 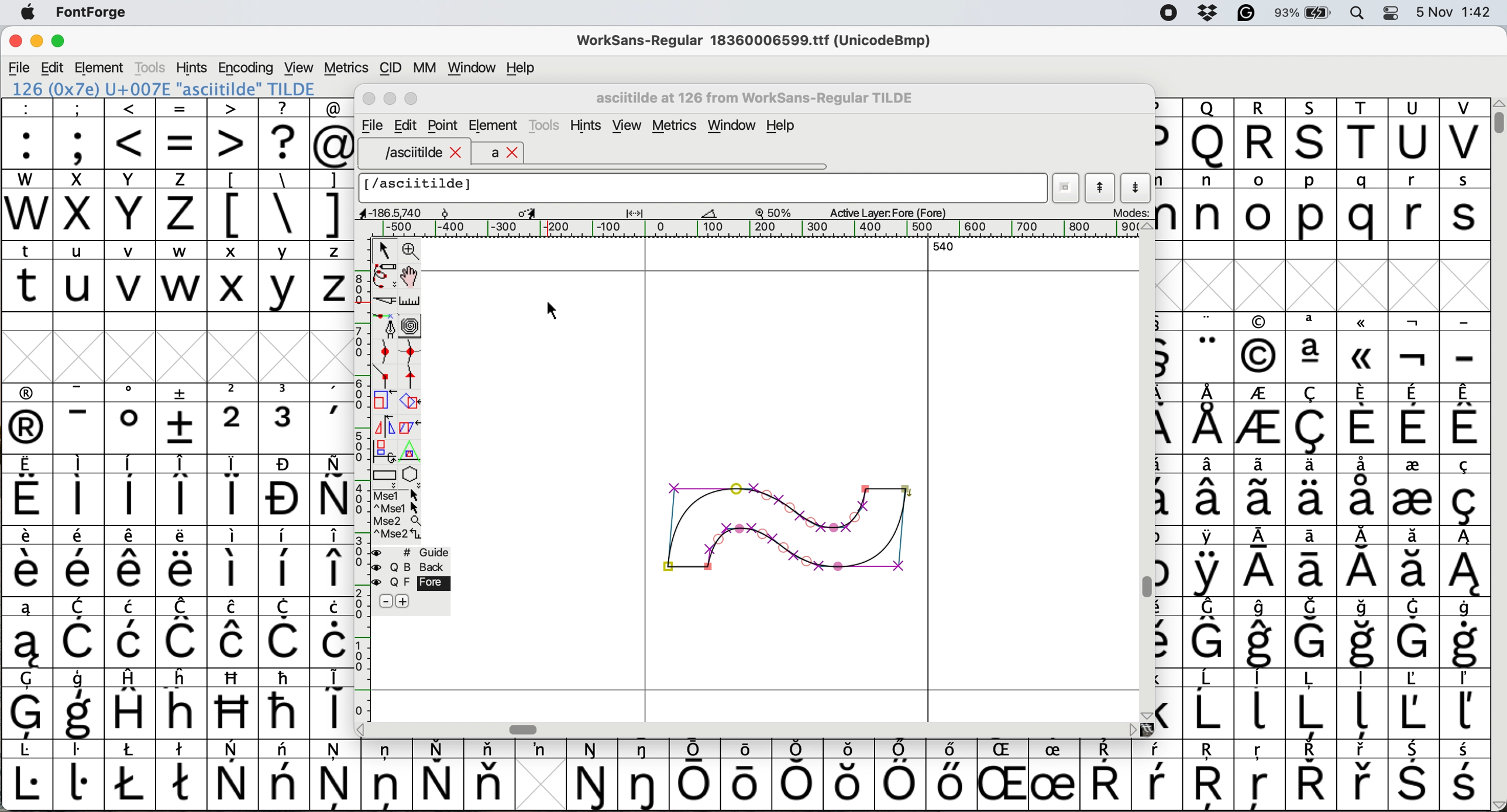 What do you see at coordinates (1496, 117) in the screenshot?
I see `vertical scroll bar` at bounding box center [1496, 117].